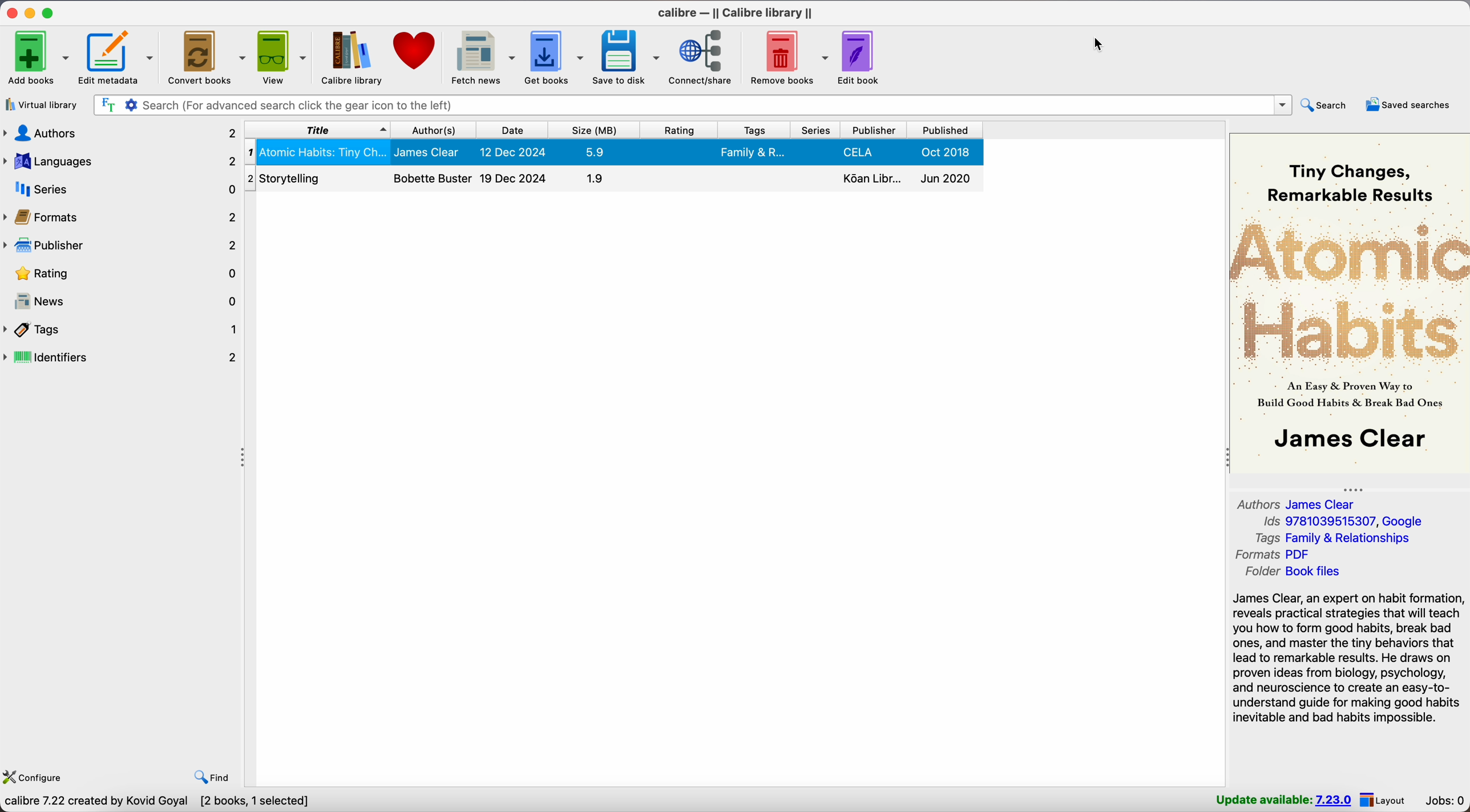 The width and height of the screenshot is (1470, 812). I want to click on donate, so click(416, 51).